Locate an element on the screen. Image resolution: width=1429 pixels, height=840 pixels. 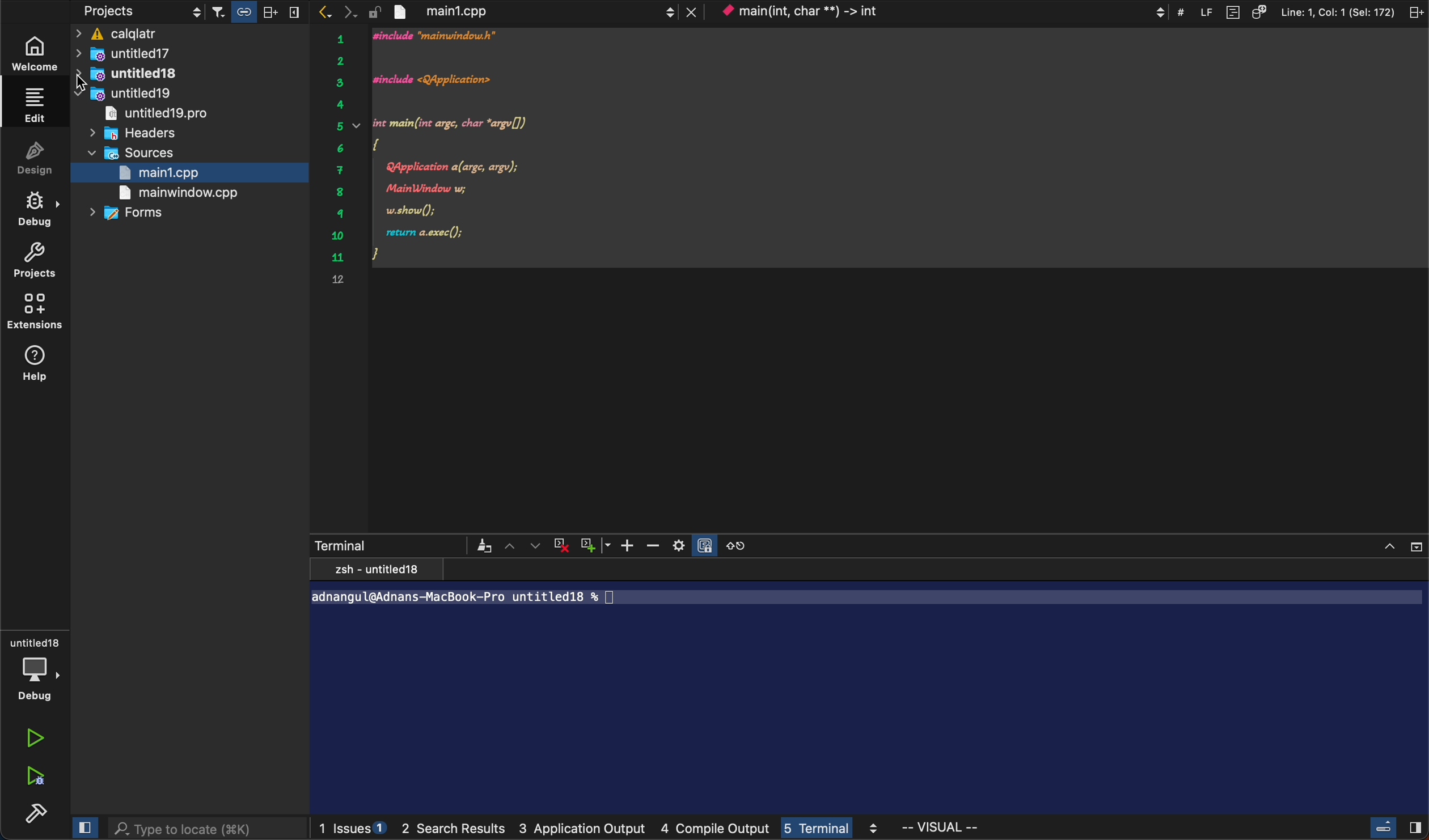
cross is located at coordinates (560, 545).